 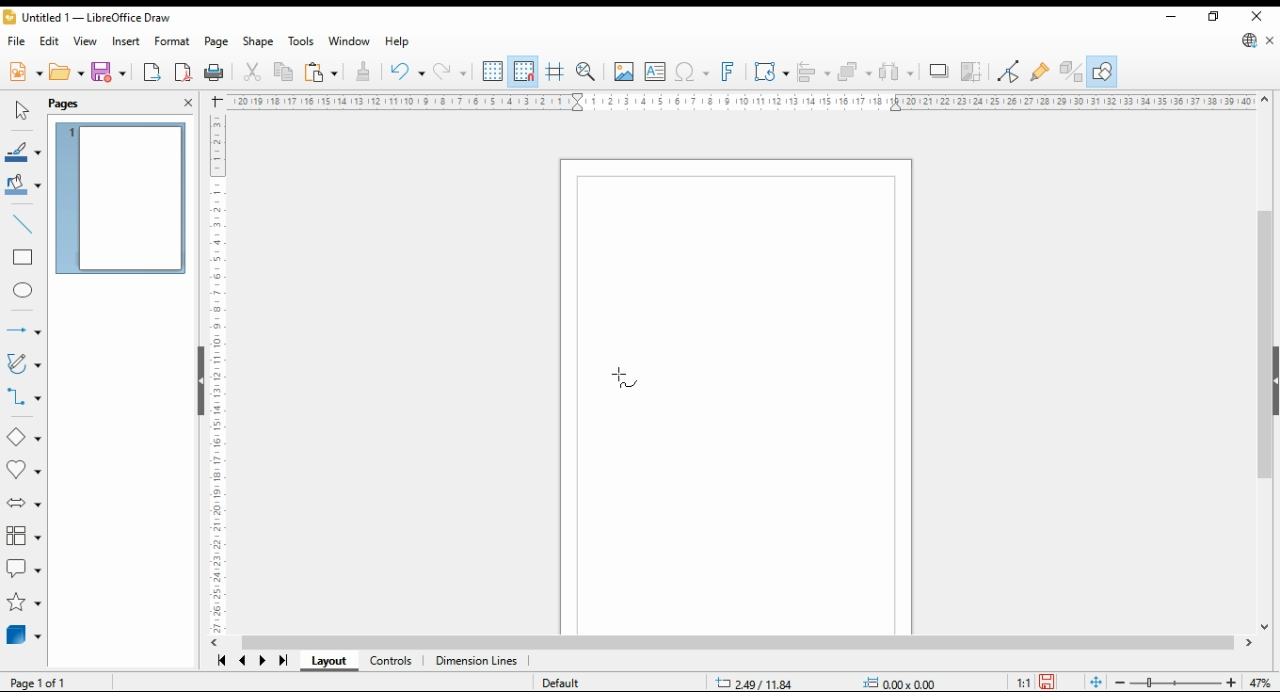 I want to click on fill color, so click(x=24, y=185).